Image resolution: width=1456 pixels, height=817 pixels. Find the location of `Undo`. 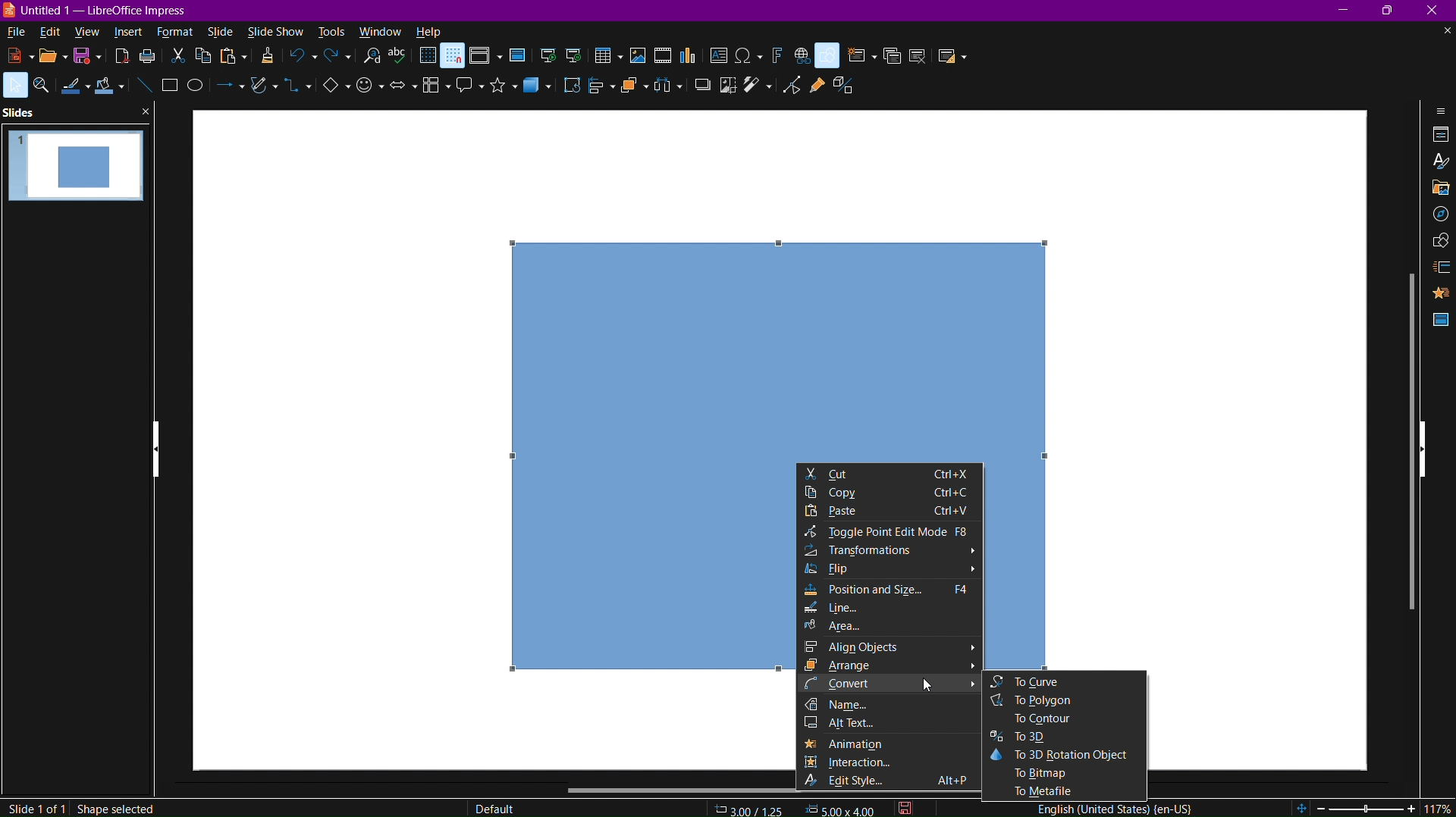

Undo is located at coordinates (303, 58).